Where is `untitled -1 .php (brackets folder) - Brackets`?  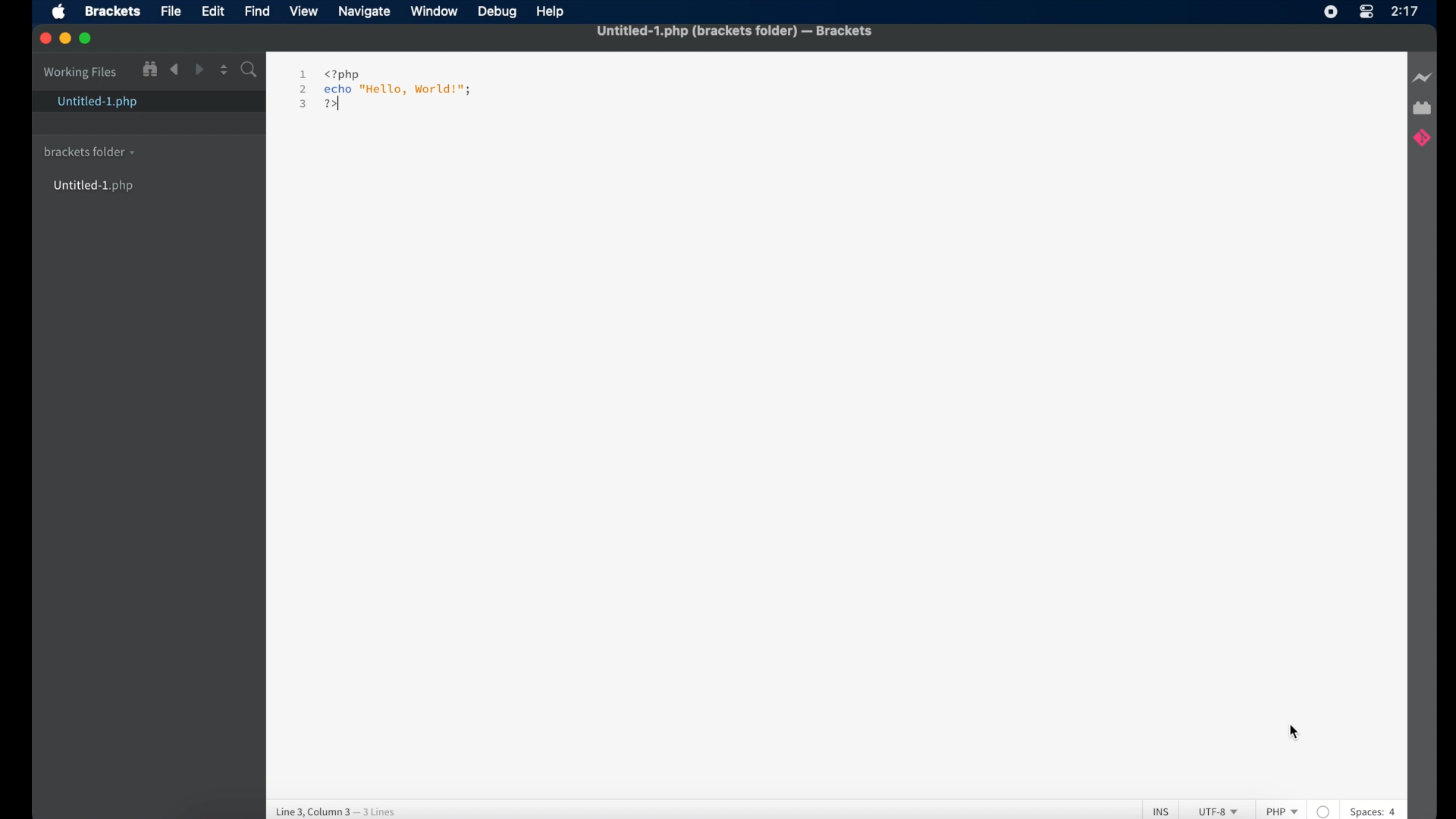 untitled -1 .php (brackets folder) - Brackets is located at coordinates (736, 30).